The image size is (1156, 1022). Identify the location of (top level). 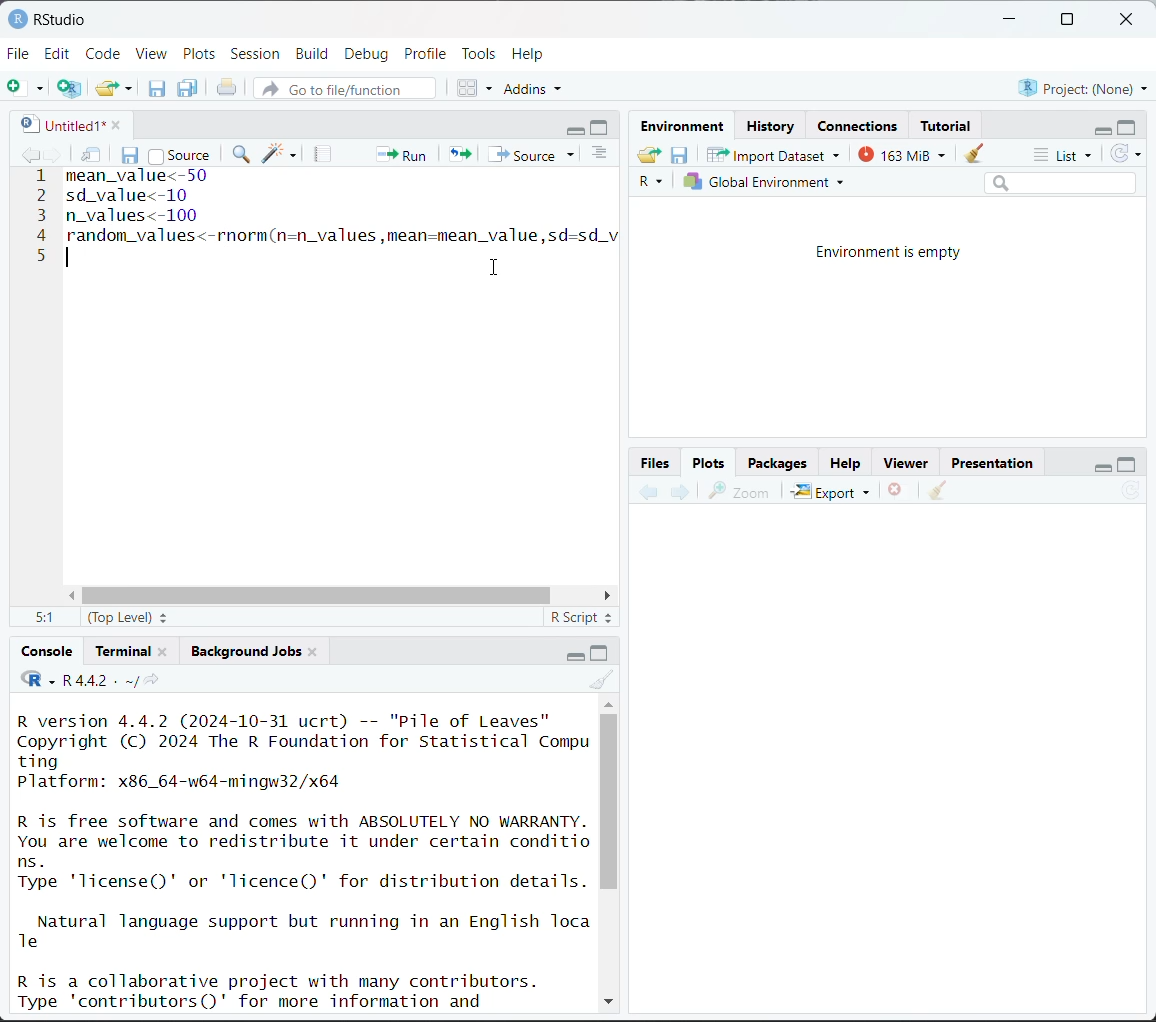
(130, 617).